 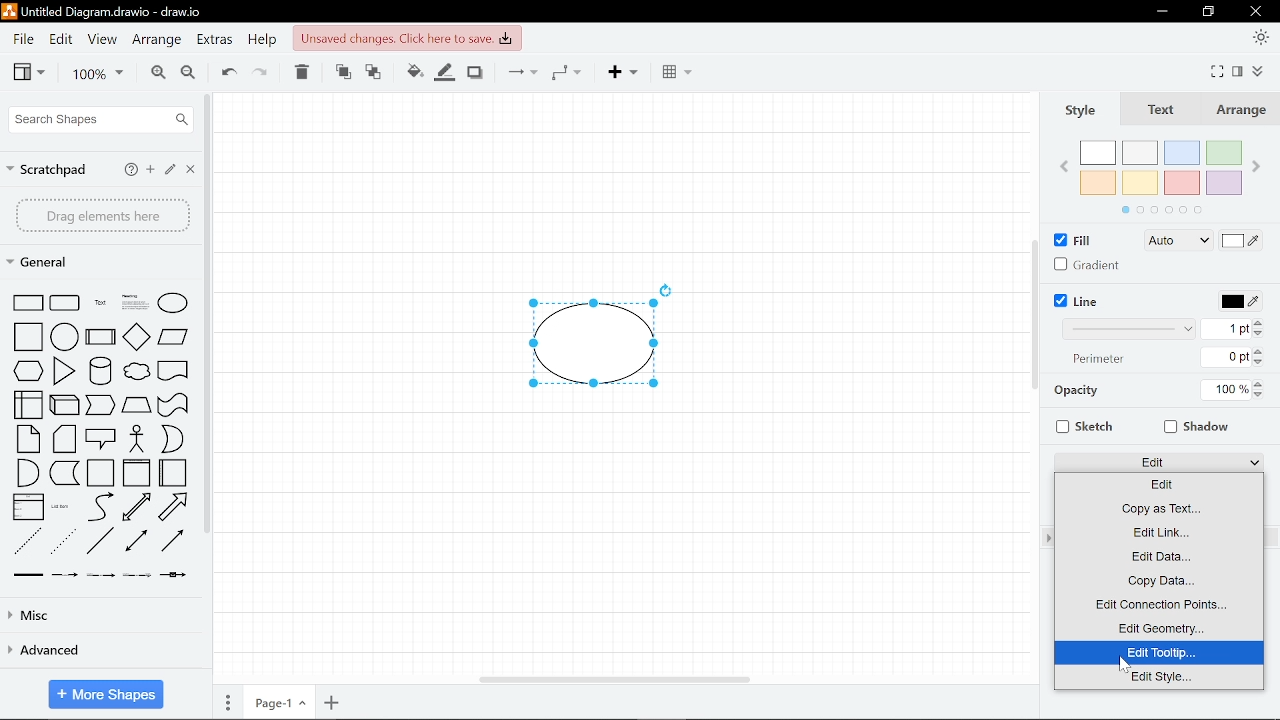 What do you see at coordinates (98, 542) in the screenshot?
I see `line` at bounding box center [98, 542].